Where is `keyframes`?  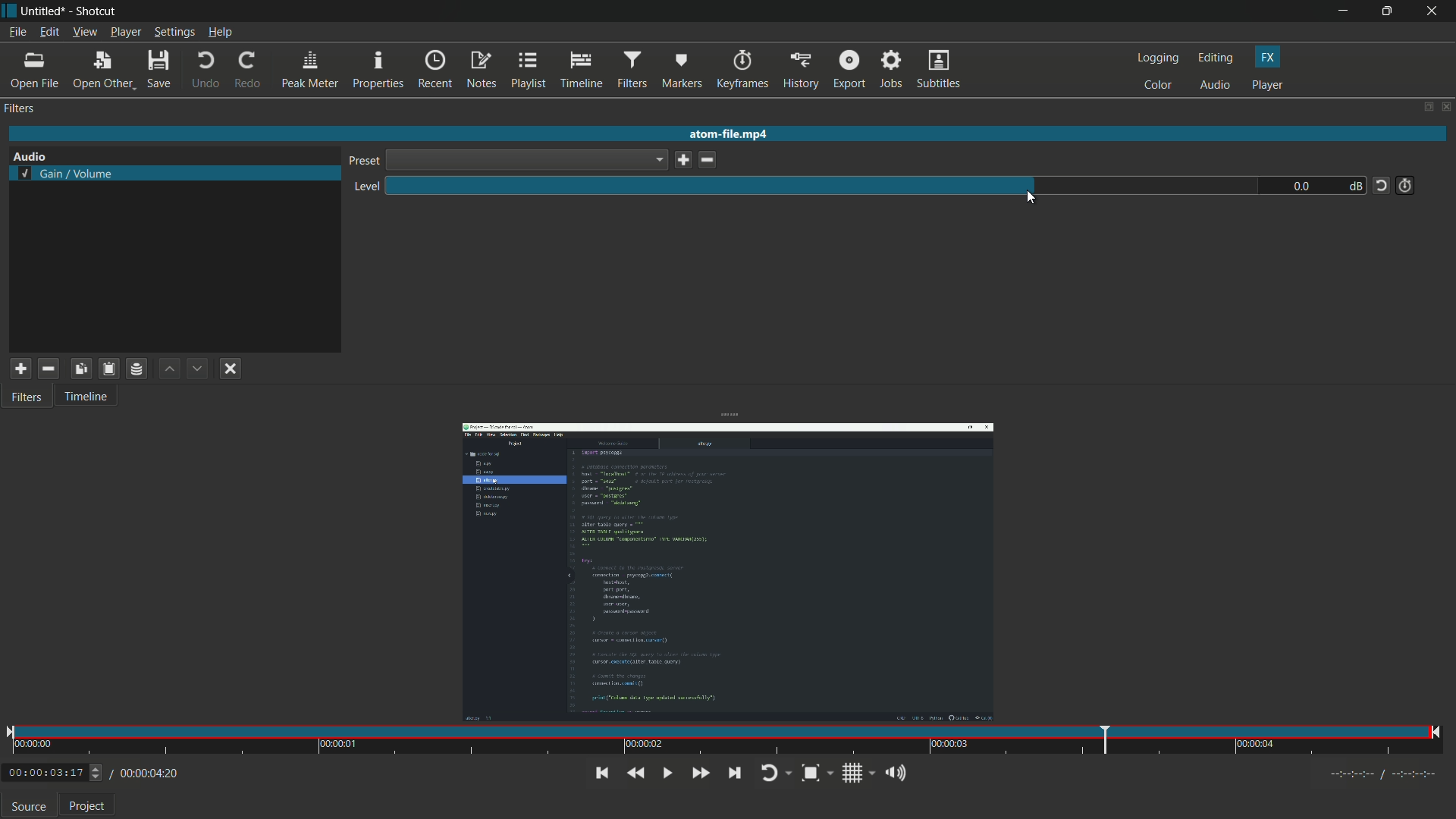 keyframes is located at coordinates (741, 70).